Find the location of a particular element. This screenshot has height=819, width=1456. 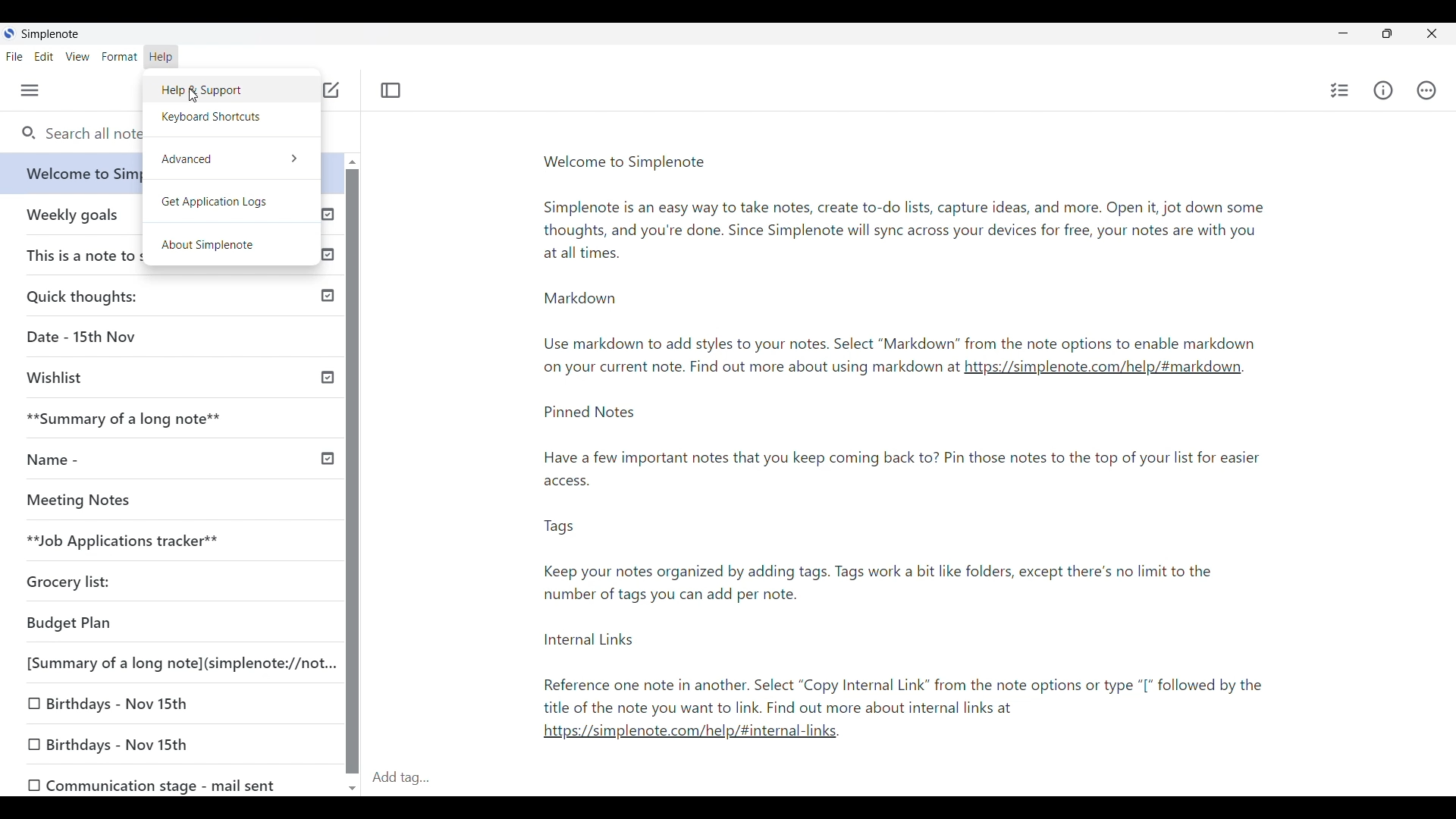

Date - 15th Nov is located at coordinates (70, 337).